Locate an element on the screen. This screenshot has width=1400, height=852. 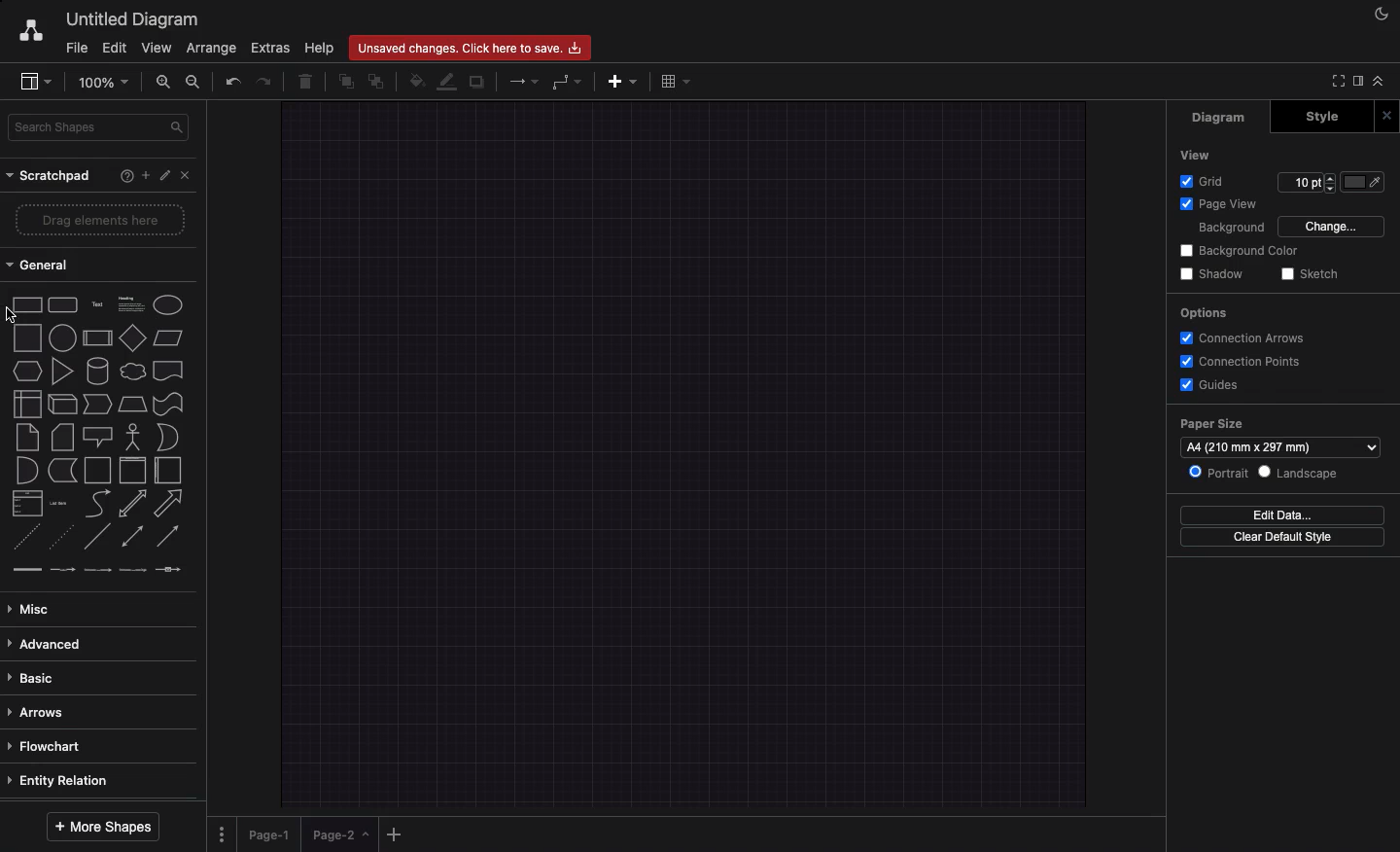
Edit is located at coordinates (114, 47).